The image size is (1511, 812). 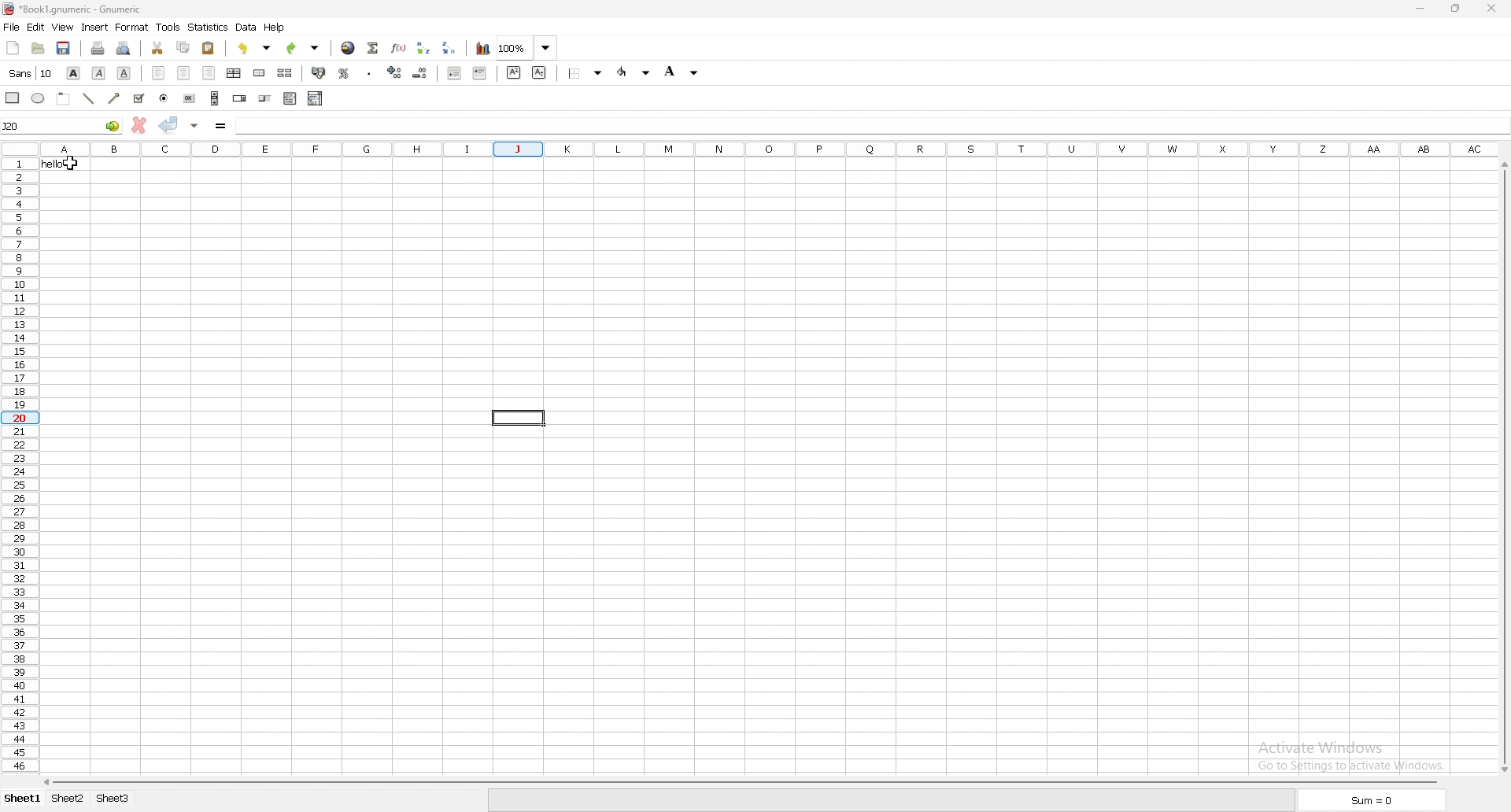 What do you see at coordinates (254, 49) in the screenshot?
I see `undo` at bounding box center [254, 49].